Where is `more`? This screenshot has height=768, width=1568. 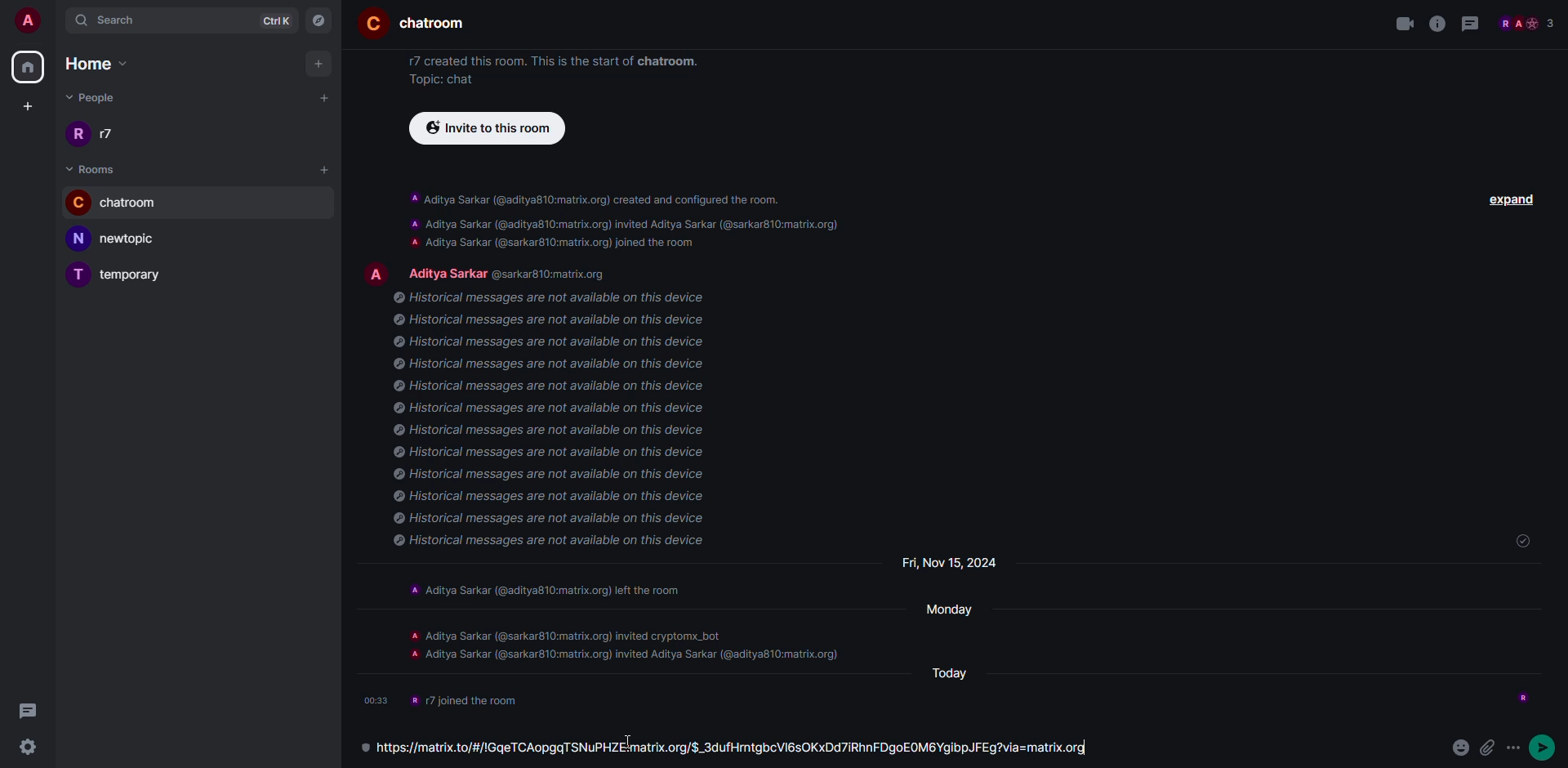 more is located at coordinates (1552, 744).